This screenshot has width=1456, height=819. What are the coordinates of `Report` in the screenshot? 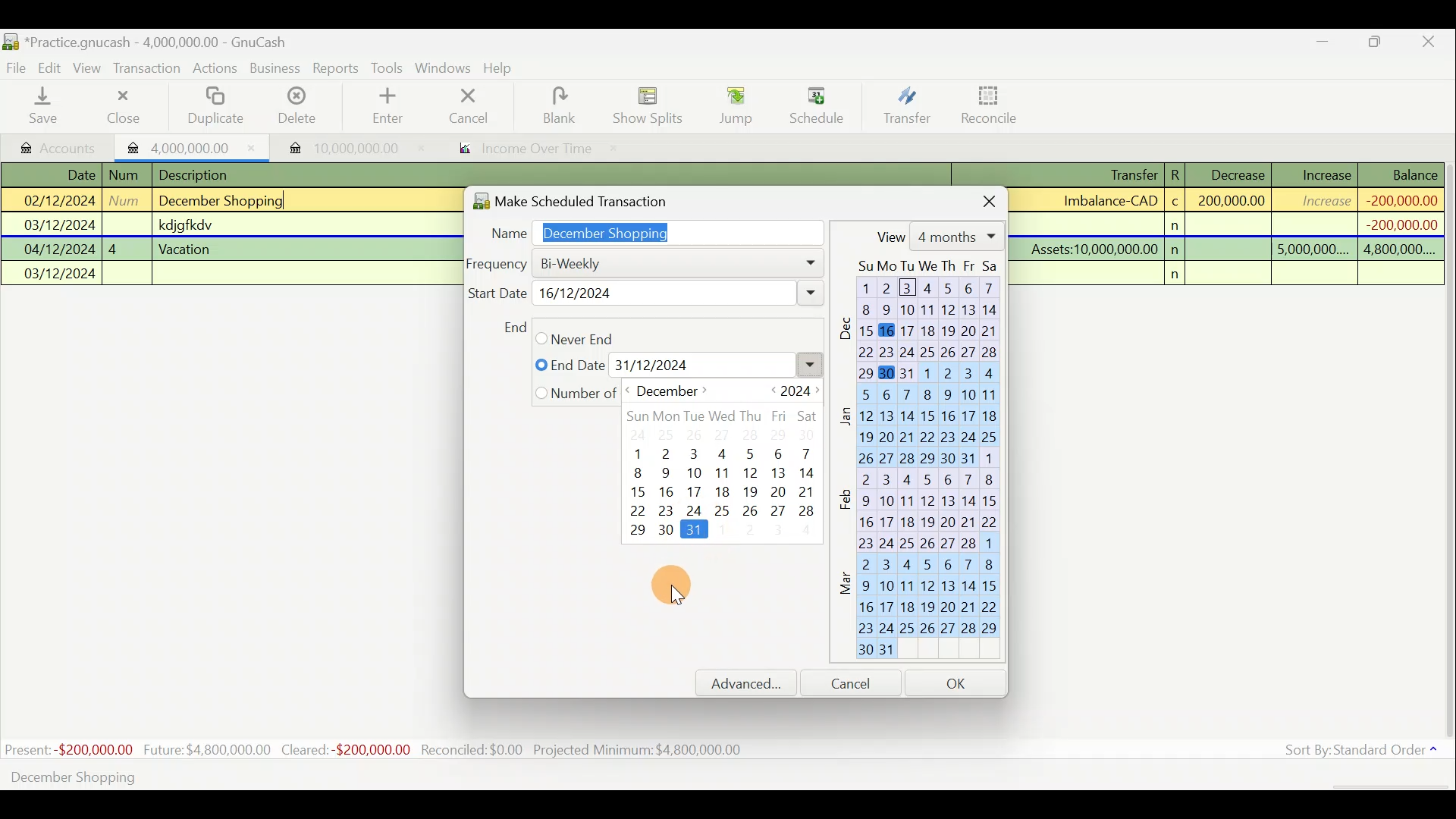 It's located at (520, 150).